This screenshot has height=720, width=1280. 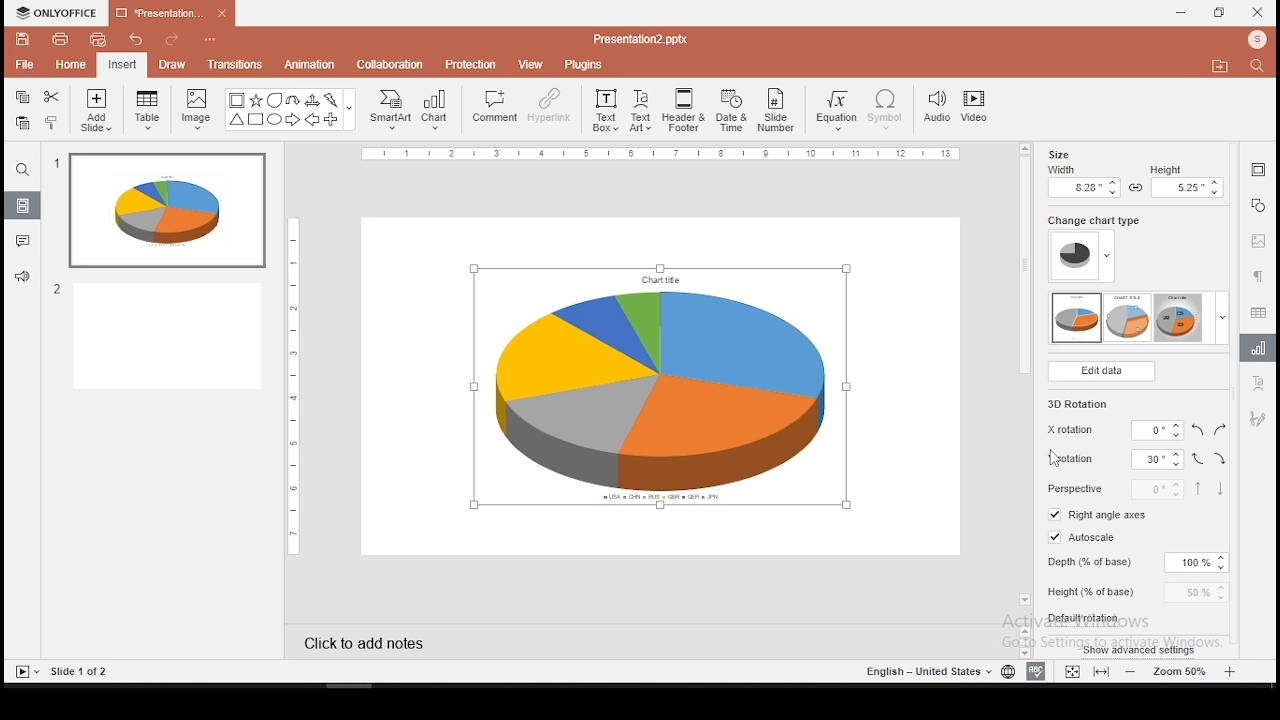 What do you see at coordinates (532, 63) in the screenshot?
I see `view` at bounding box center [532, 63].